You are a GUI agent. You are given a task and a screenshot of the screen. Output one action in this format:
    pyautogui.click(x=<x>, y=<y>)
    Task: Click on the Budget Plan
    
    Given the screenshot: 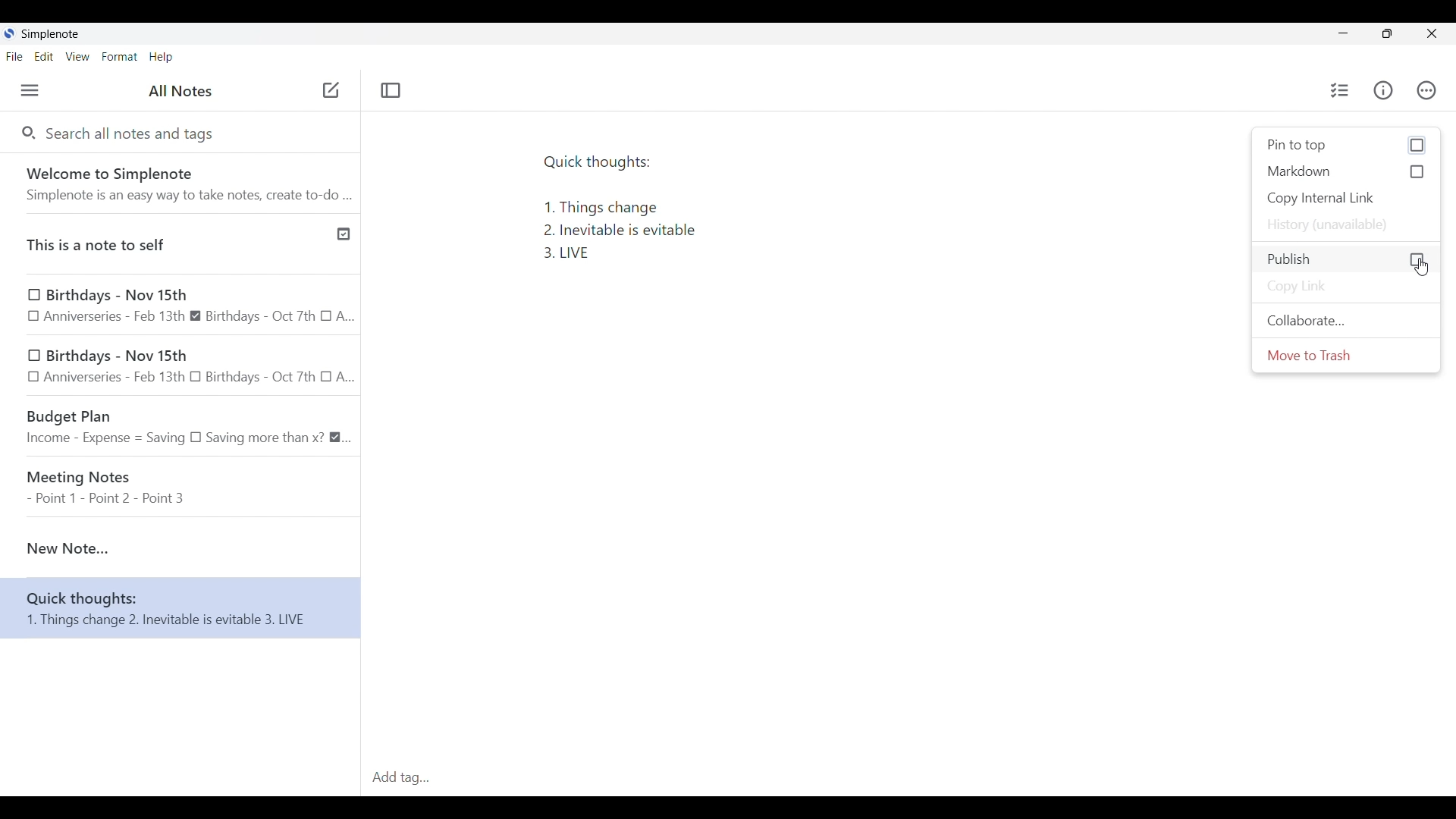 What is the action you would take?
    pyautogui.click(x=181, y=424)
    